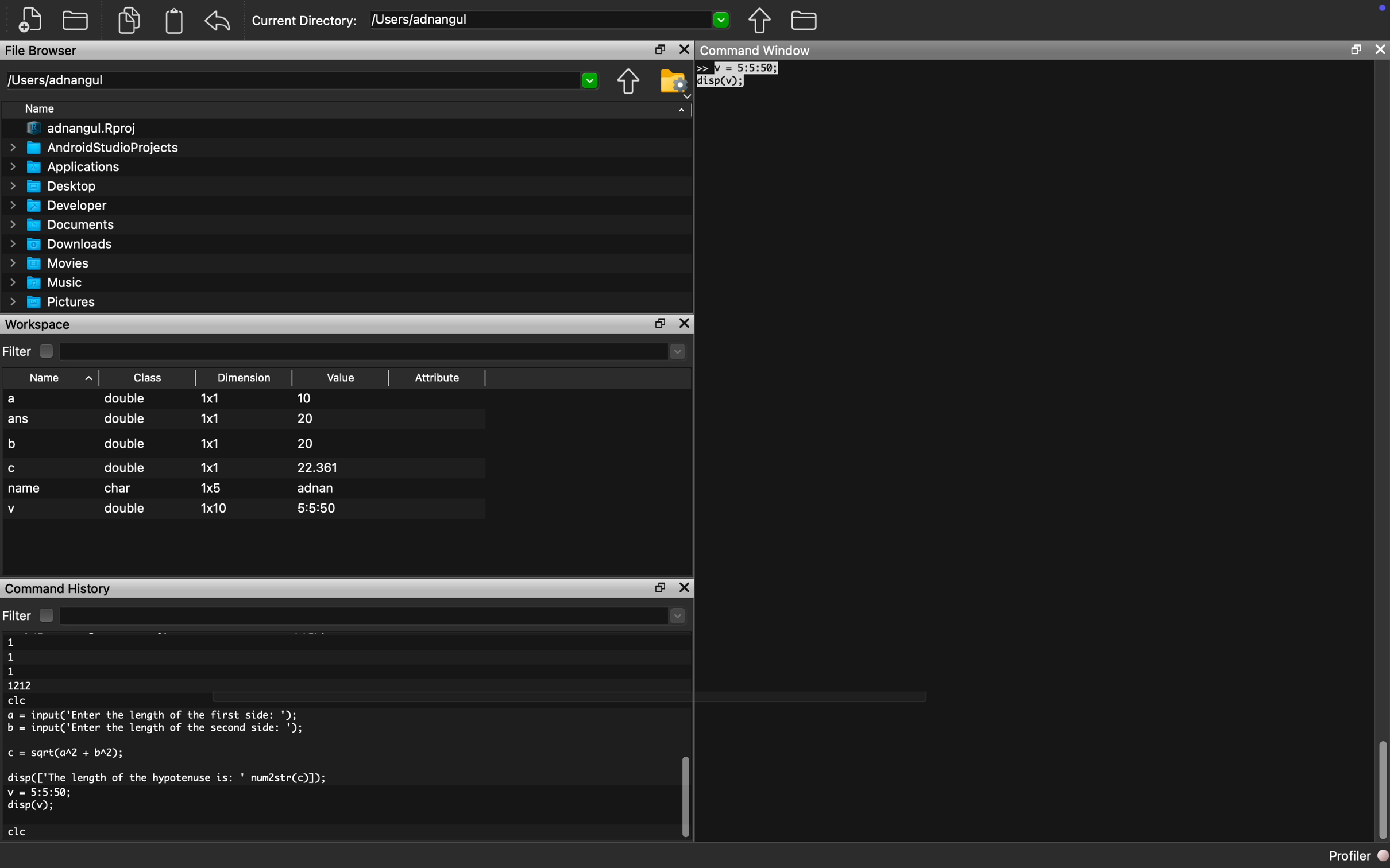 The height and width of the screenshot is (868, 1390). Describe the element at coordinates (31, 615) in the screenshot. I see `Filter` at that location.